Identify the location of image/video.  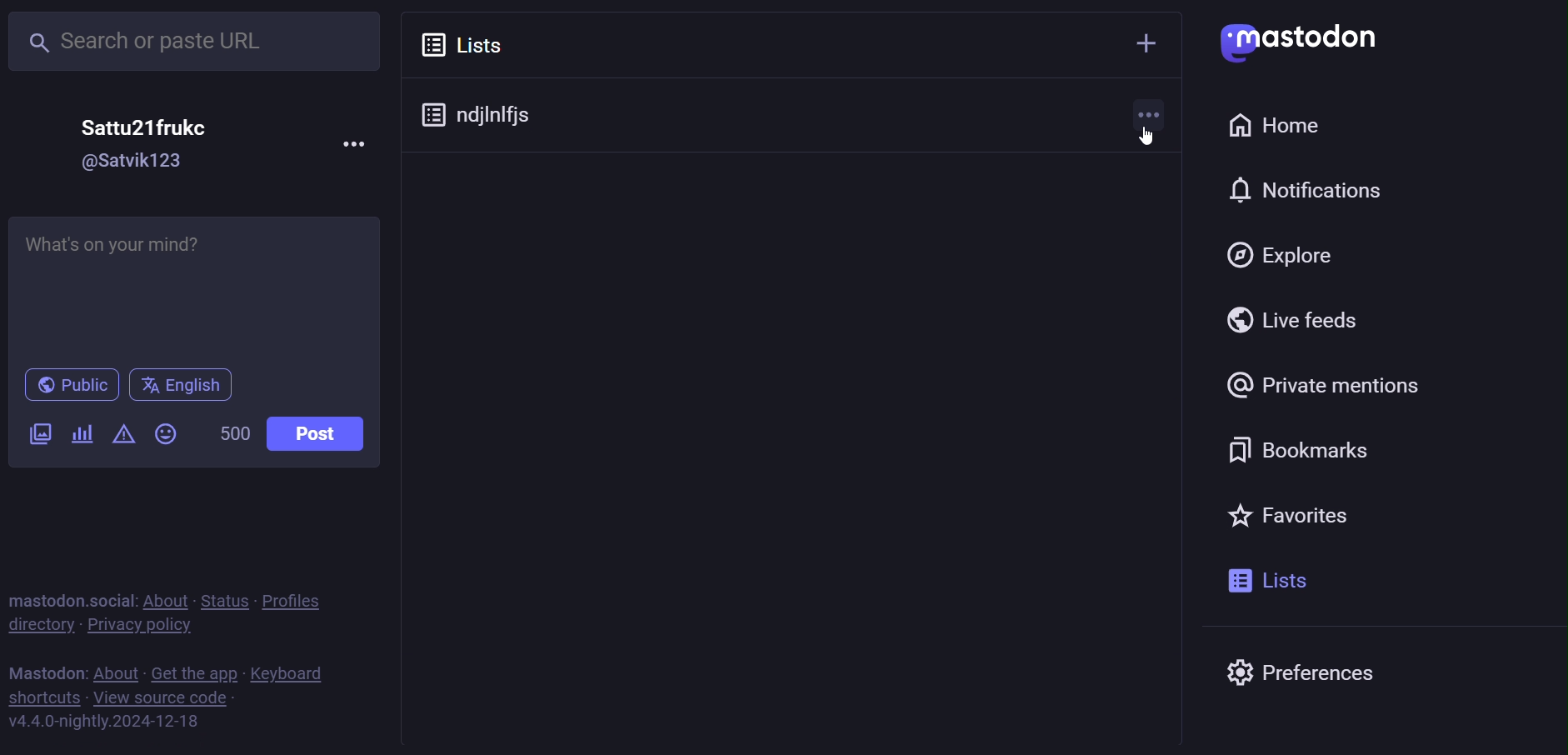
(34, 435).